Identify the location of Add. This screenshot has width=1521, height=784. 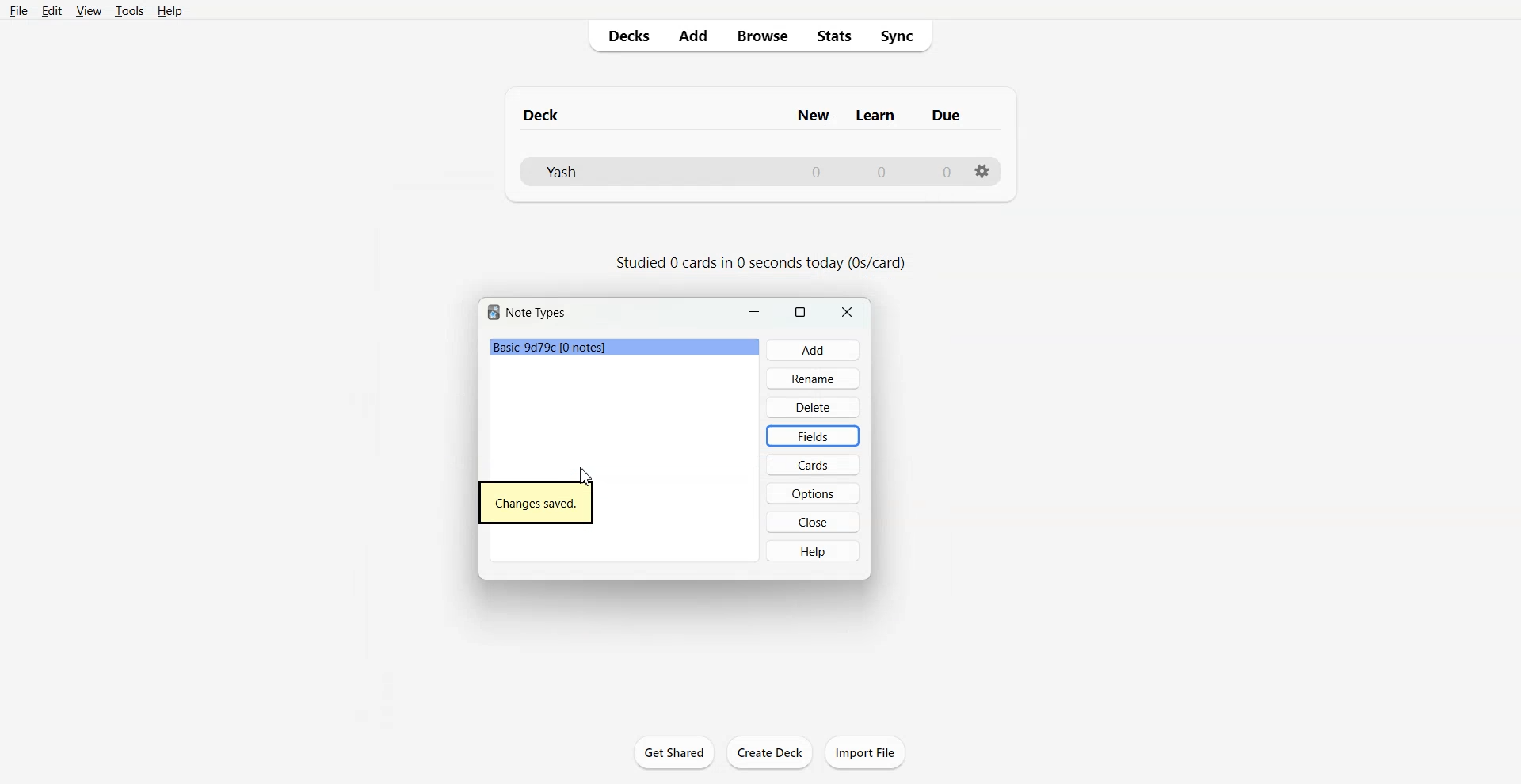
(813, 349).